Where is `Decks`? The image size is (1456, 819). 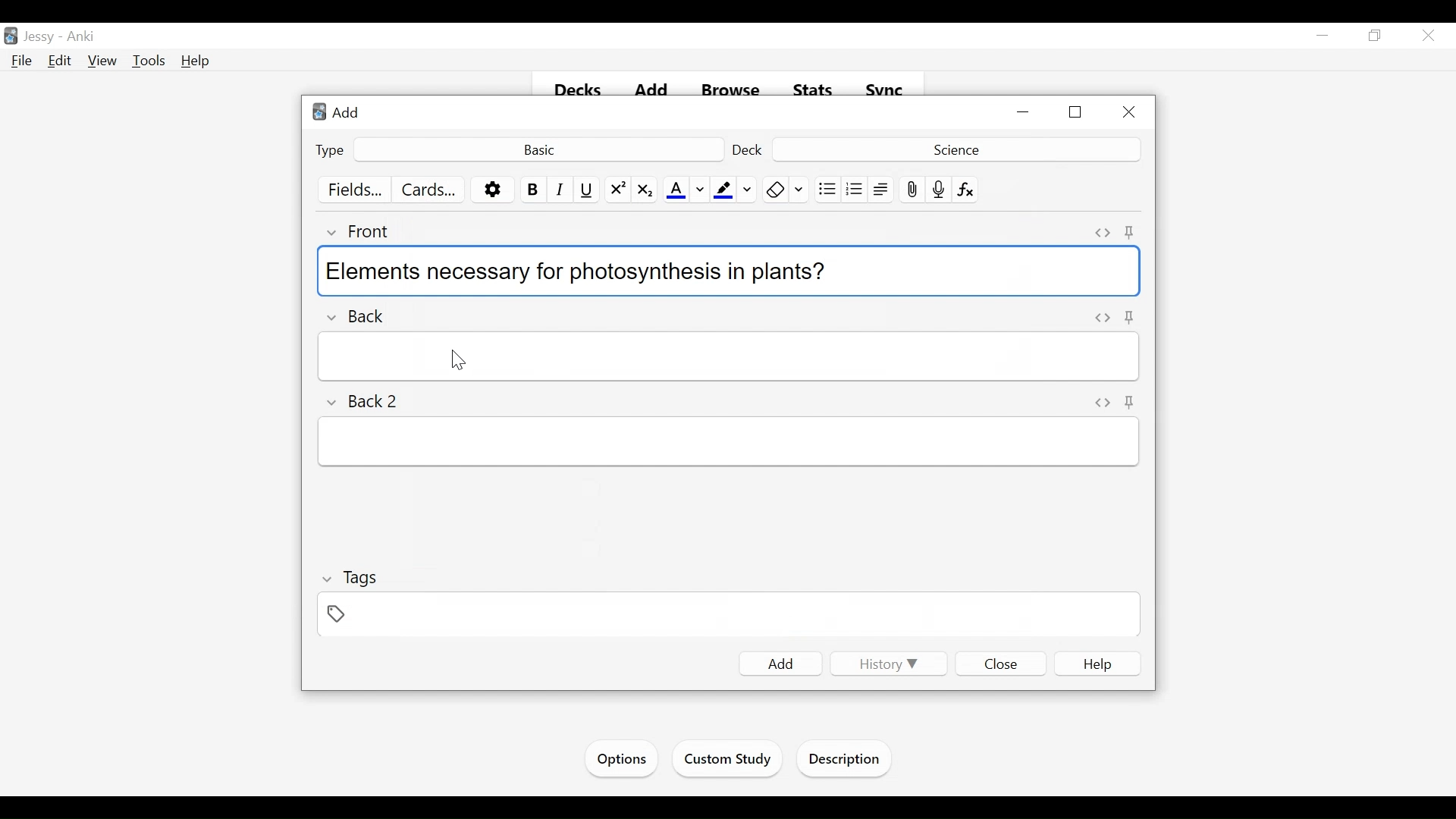
Decks is located at coordinates (579, 91).